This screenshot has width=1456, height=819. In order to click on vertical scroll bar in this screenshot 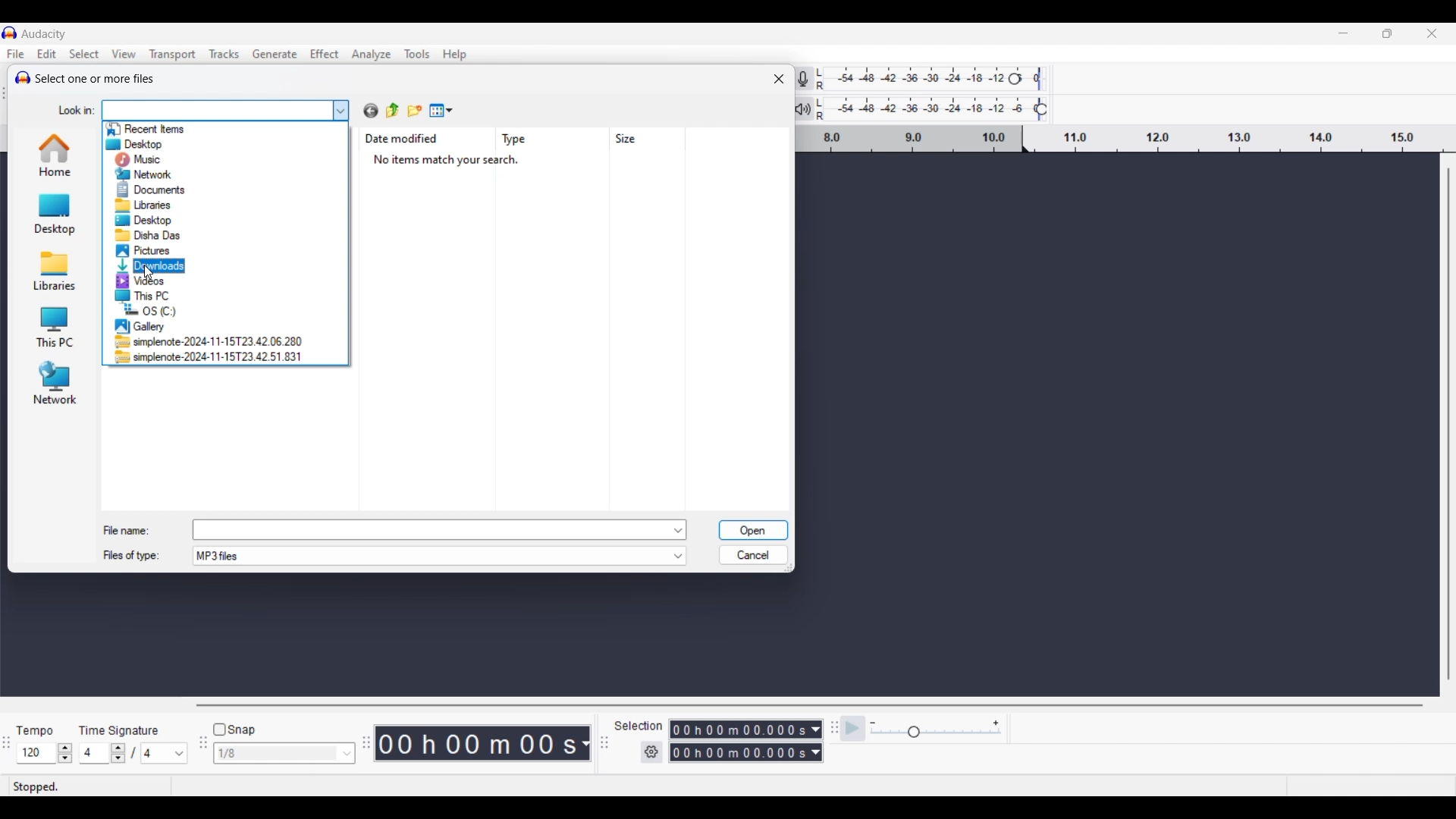, I will do `click(1447, 427)`.